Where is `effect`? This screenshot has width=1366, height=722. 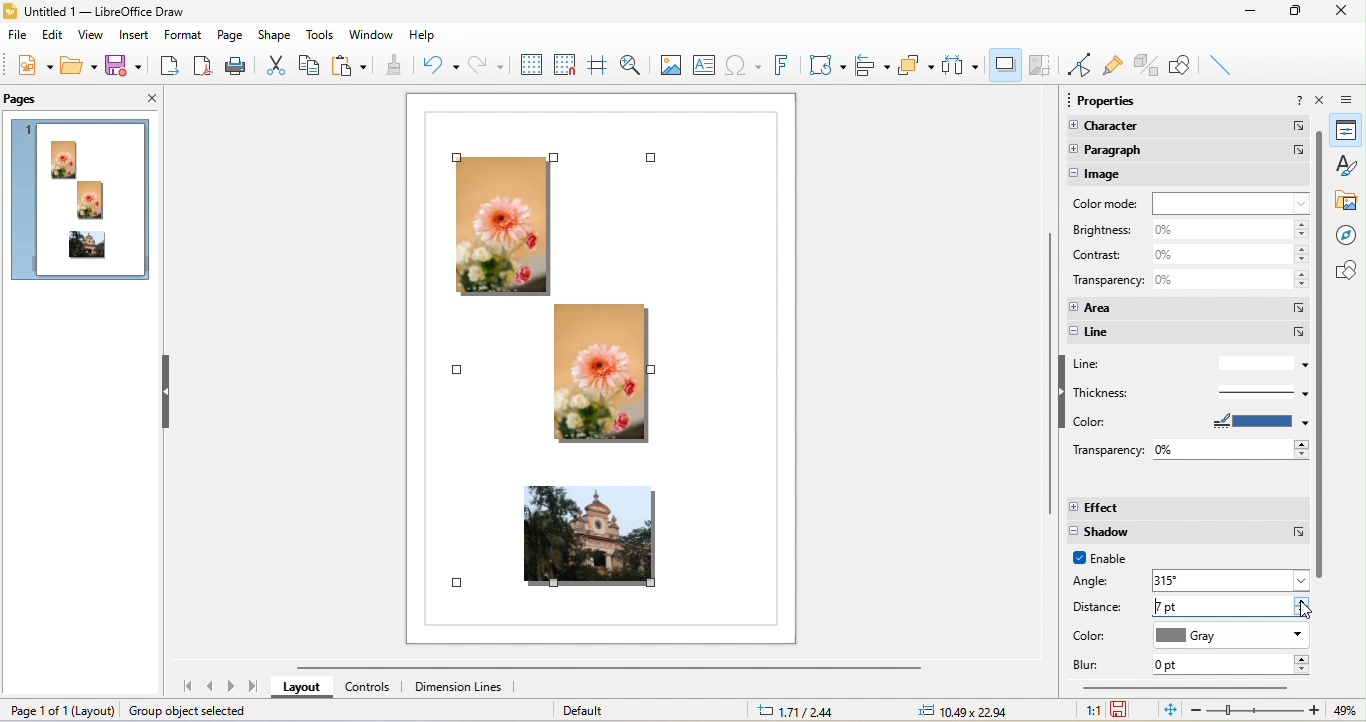 effect is located at coordinates (1188, 508).